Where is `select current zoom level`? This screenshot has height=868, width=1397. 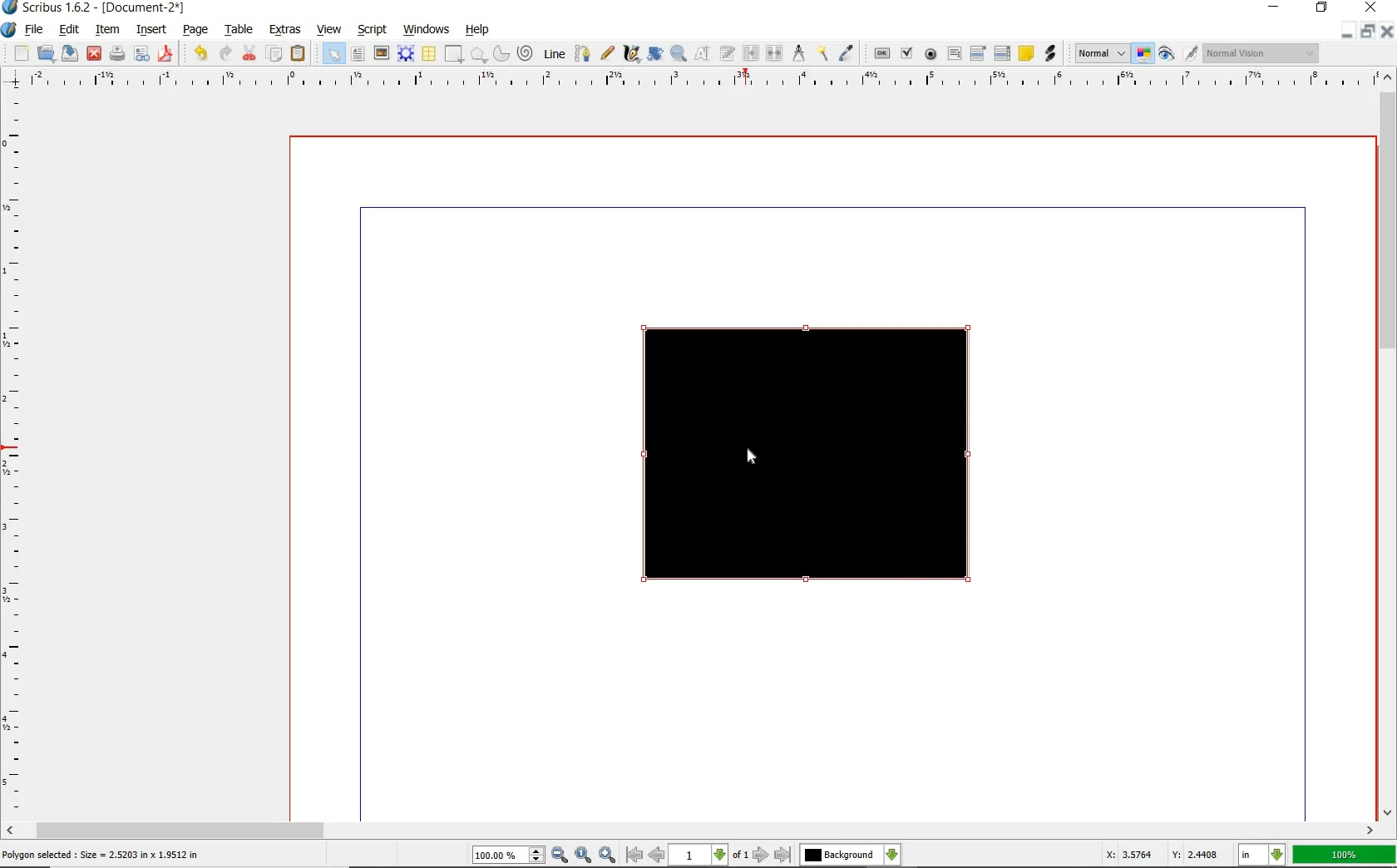
select current zoom level is located at coordinates (508, 856).